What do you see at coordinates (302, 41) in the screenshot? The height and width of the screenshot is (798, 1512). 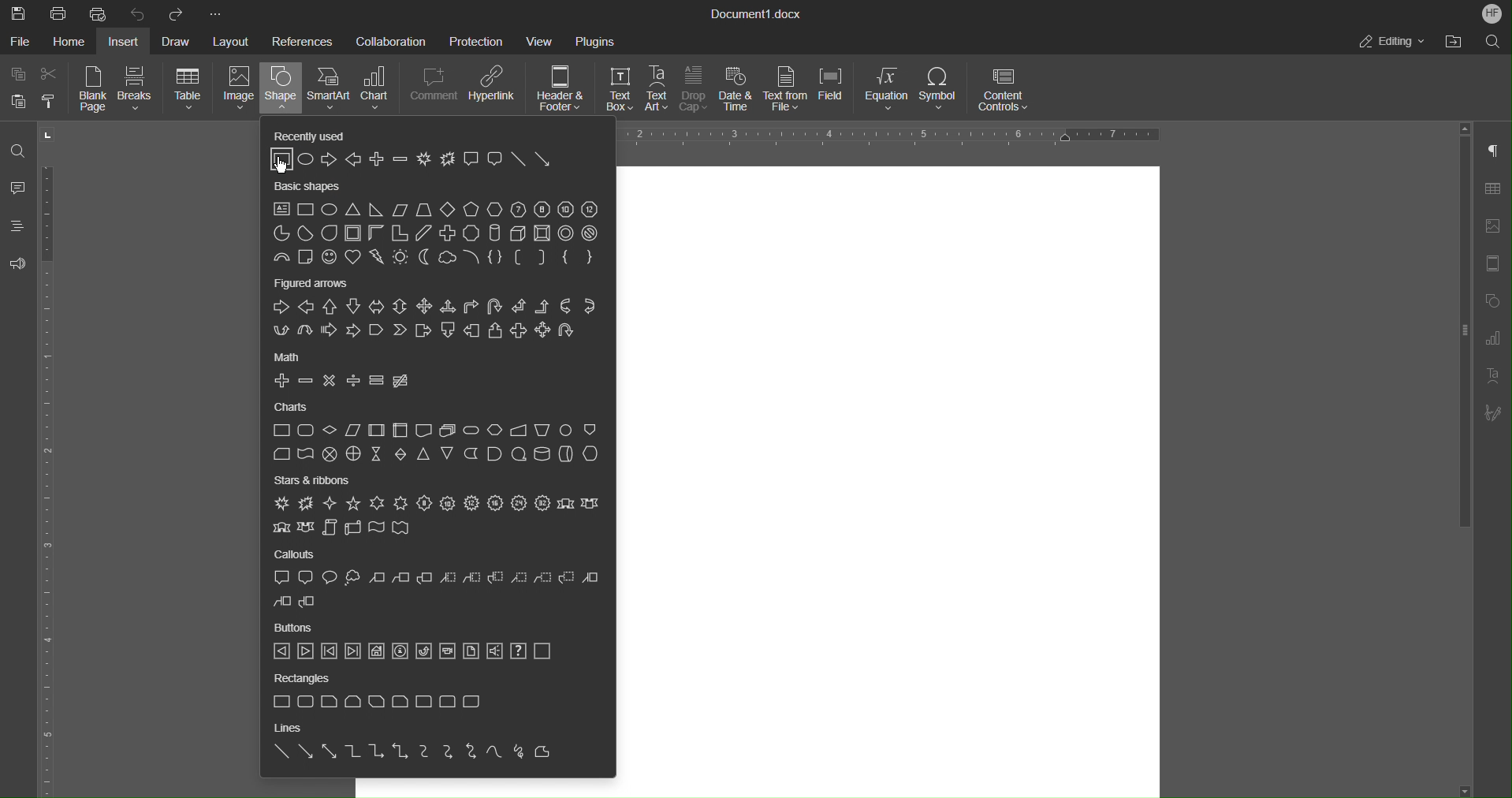 I see `References` at bounding box center [302, 41].